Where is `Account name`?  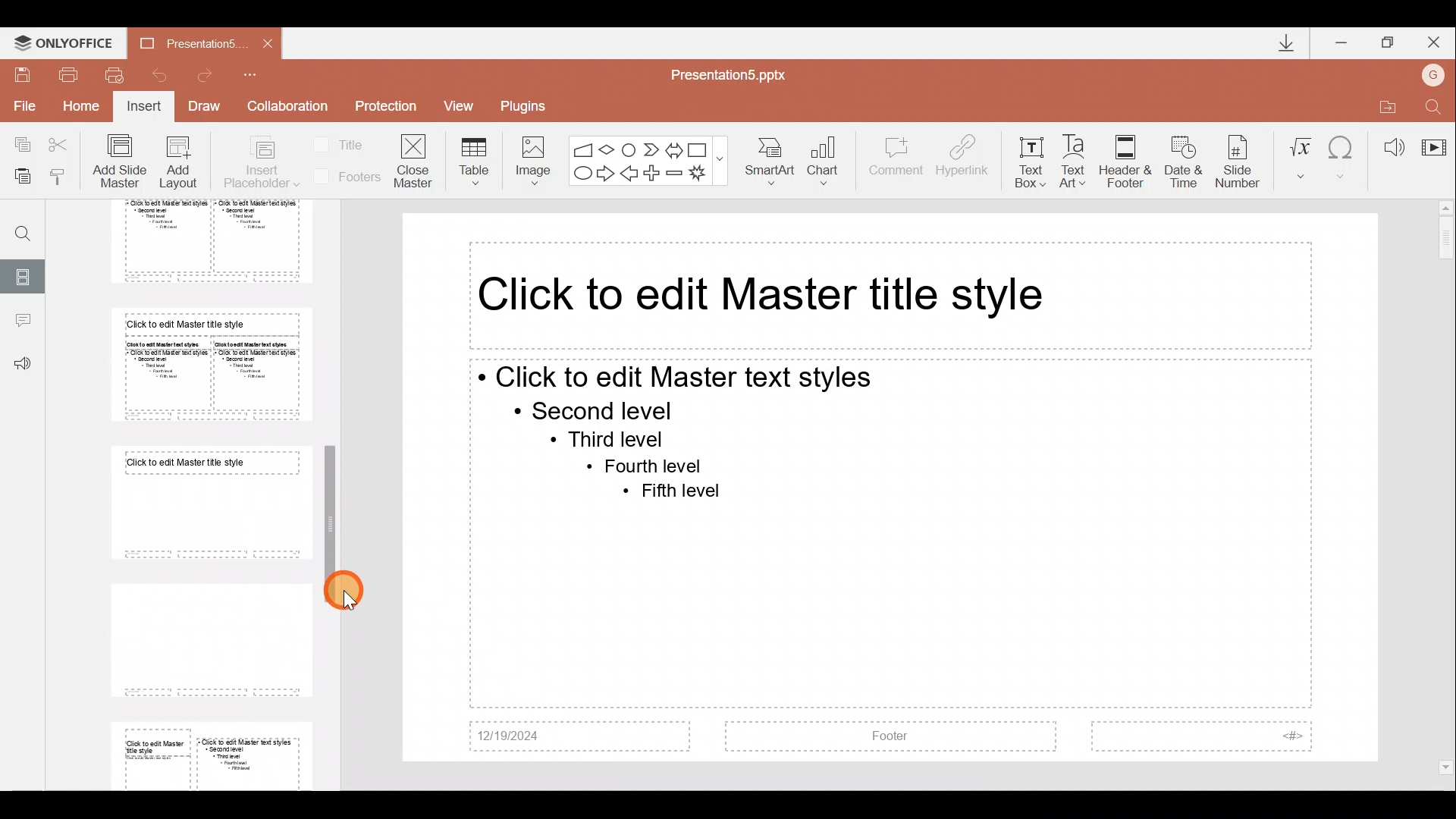
Account name is located at coordinates (1436, 73).